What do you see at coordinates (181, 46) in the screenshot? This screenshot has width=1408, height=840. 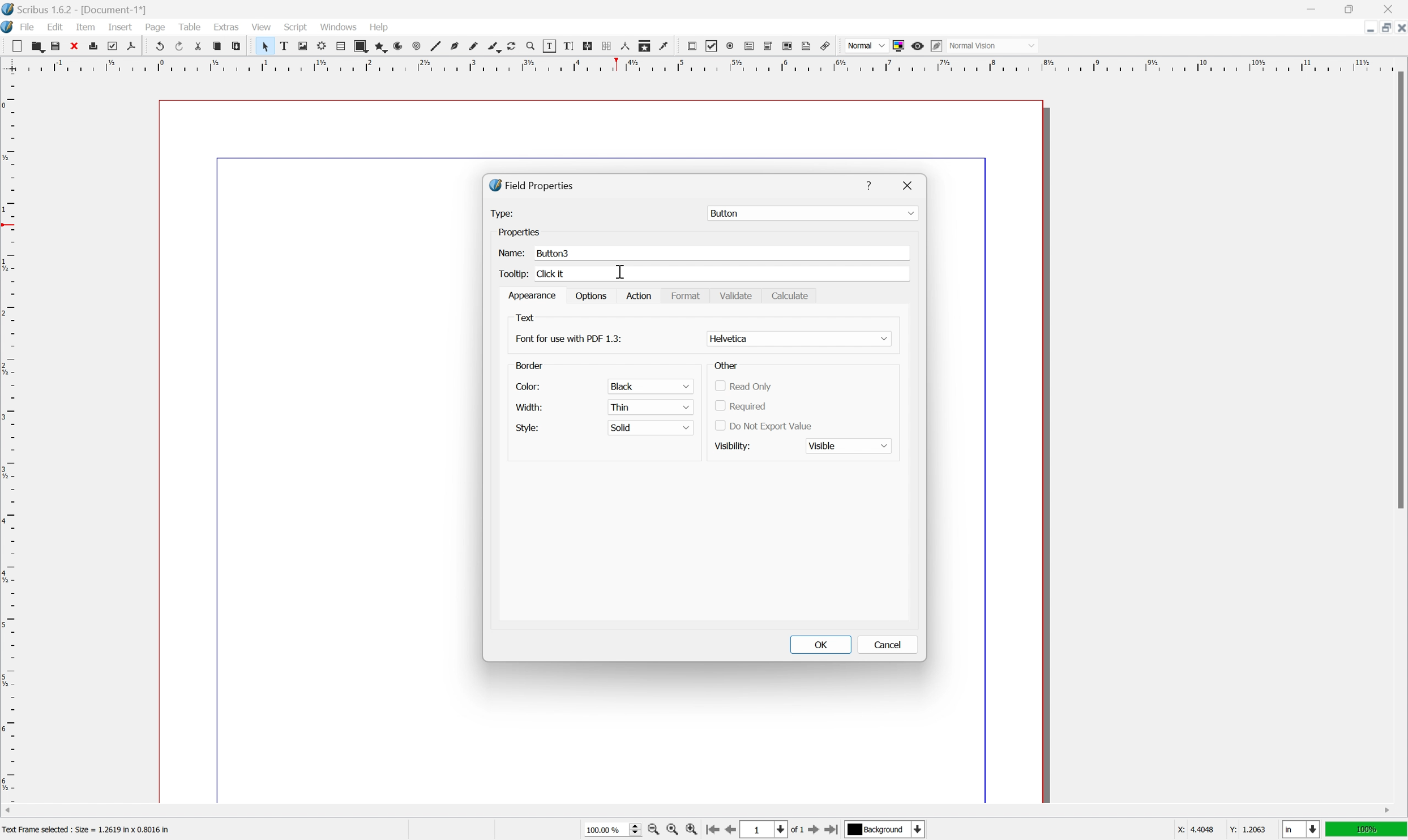 I see `redo` at bounding box center [181, 46].